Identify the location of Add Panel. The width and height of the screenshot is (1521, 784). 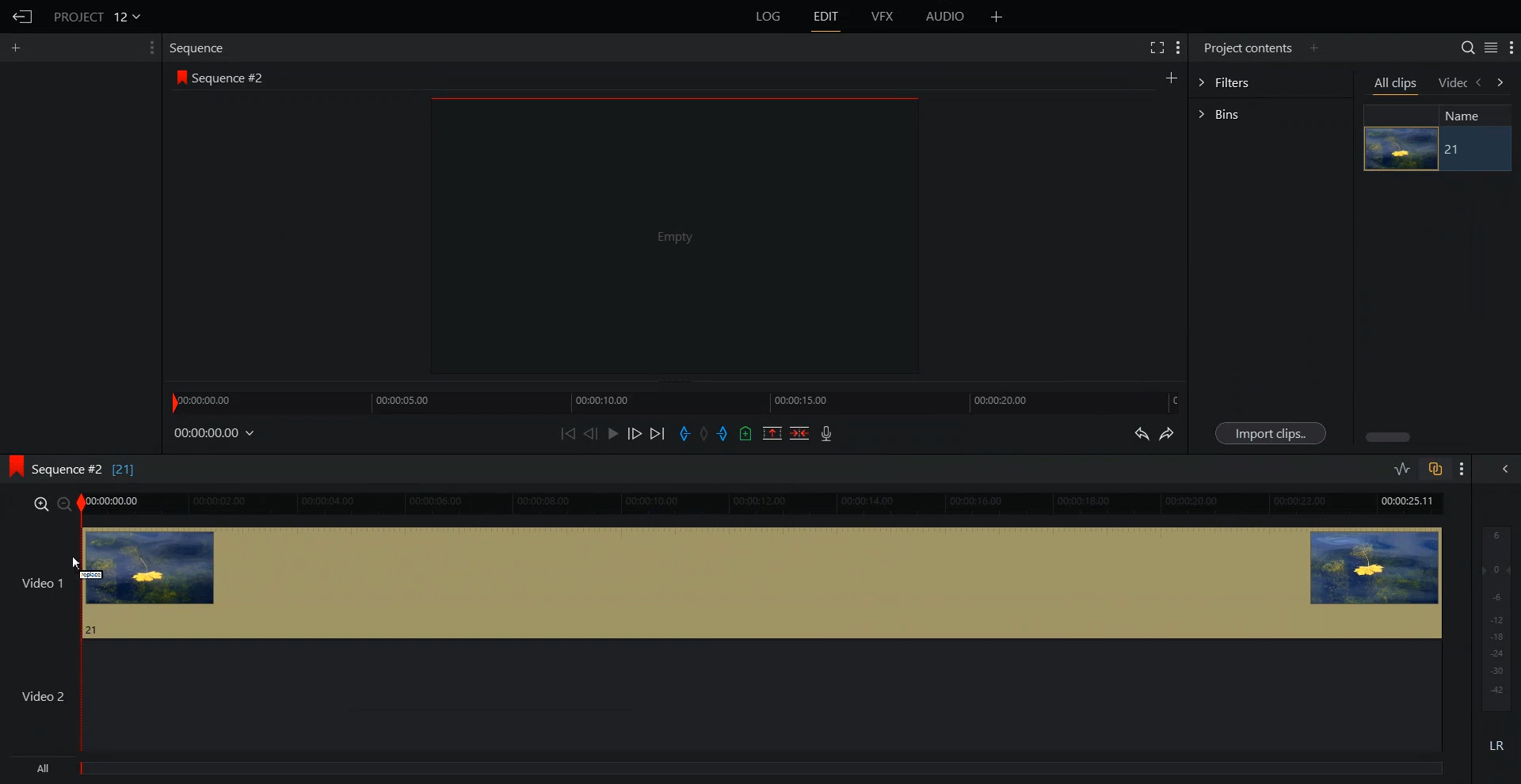
(1314, 47).